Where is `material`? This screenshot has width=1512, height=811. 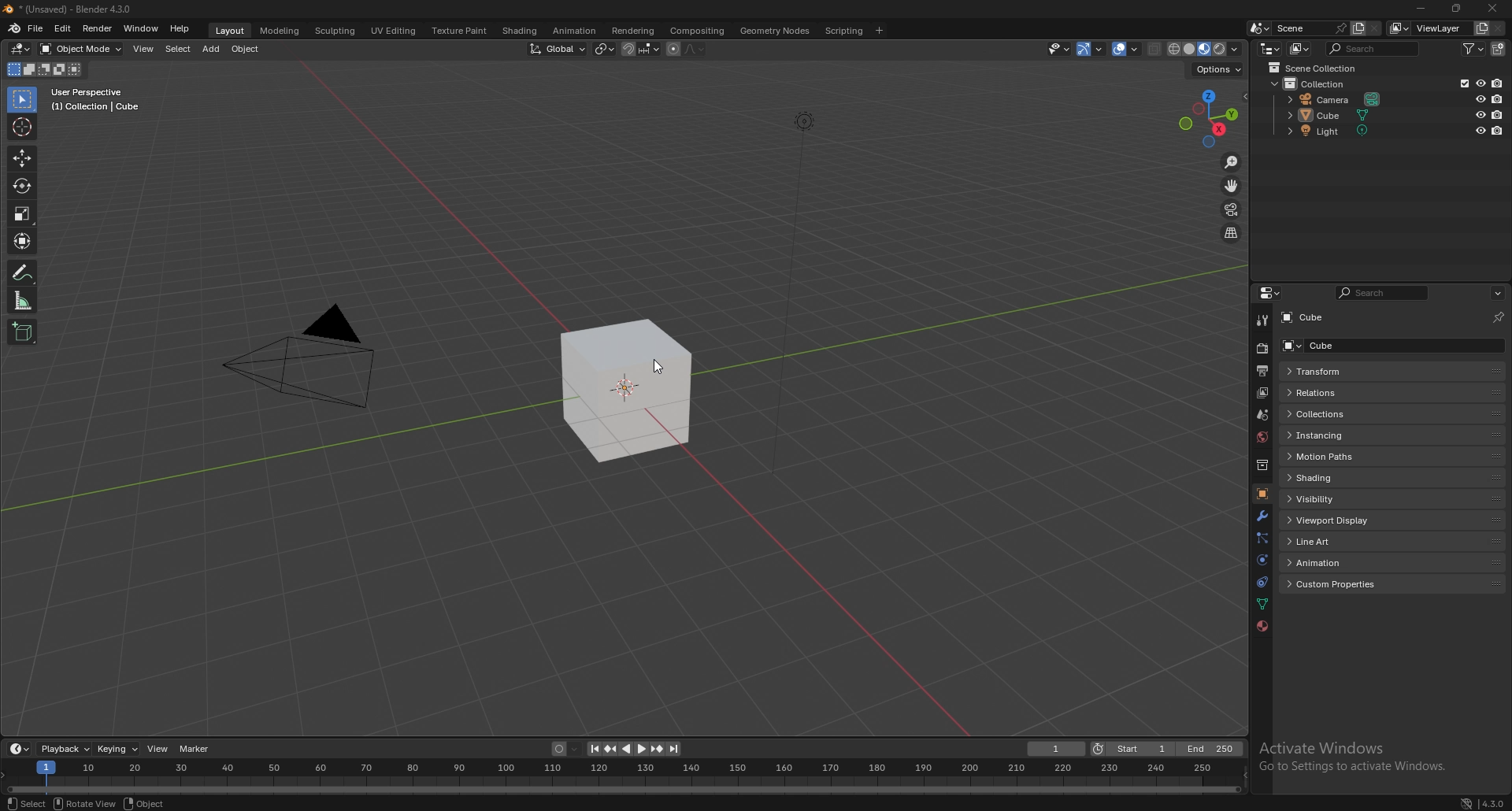
material is located at coordinates (1260, 627).